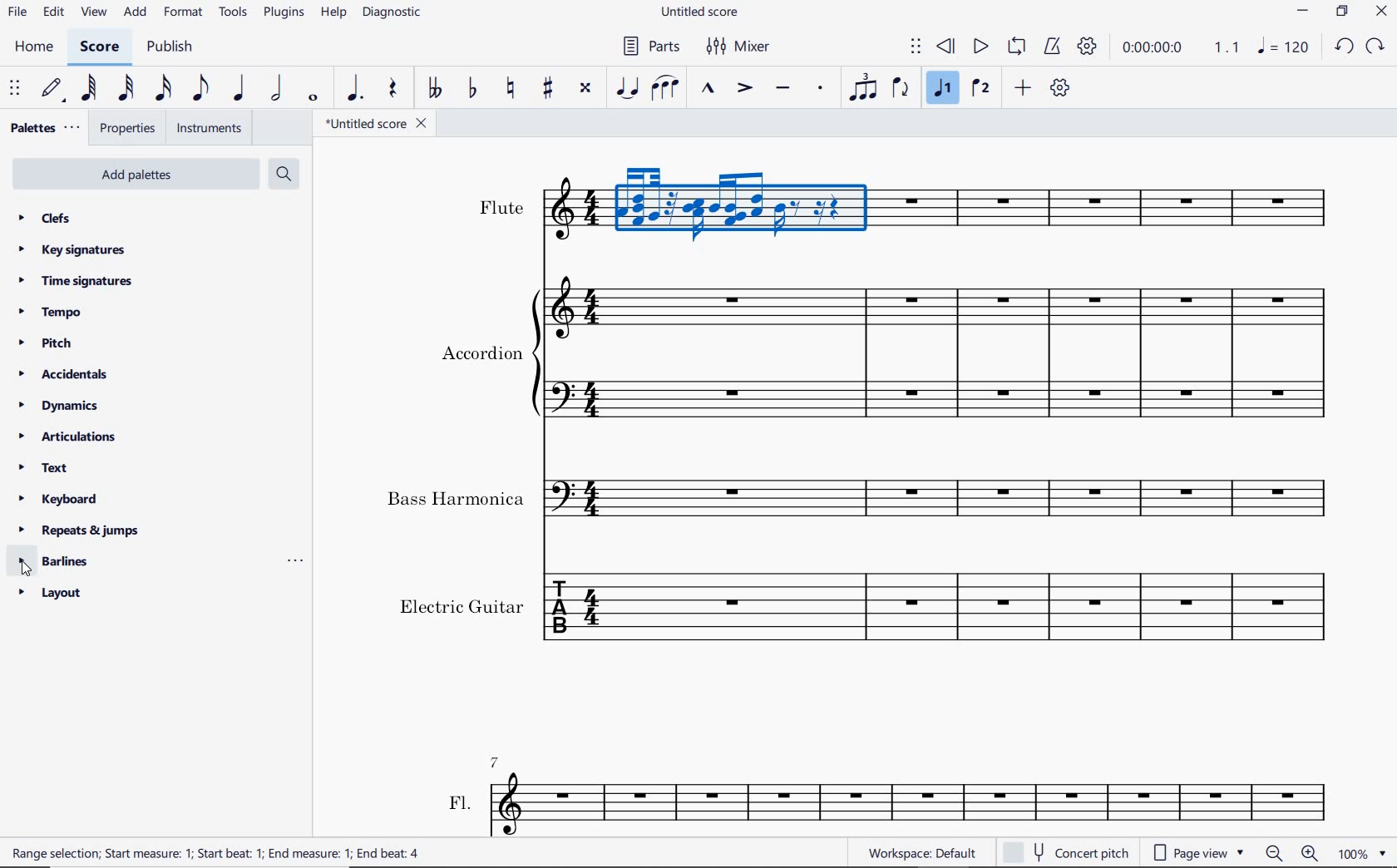 The height and width of the screenshot is (868, 1397). I want to click on page view, so click(1202, 851).